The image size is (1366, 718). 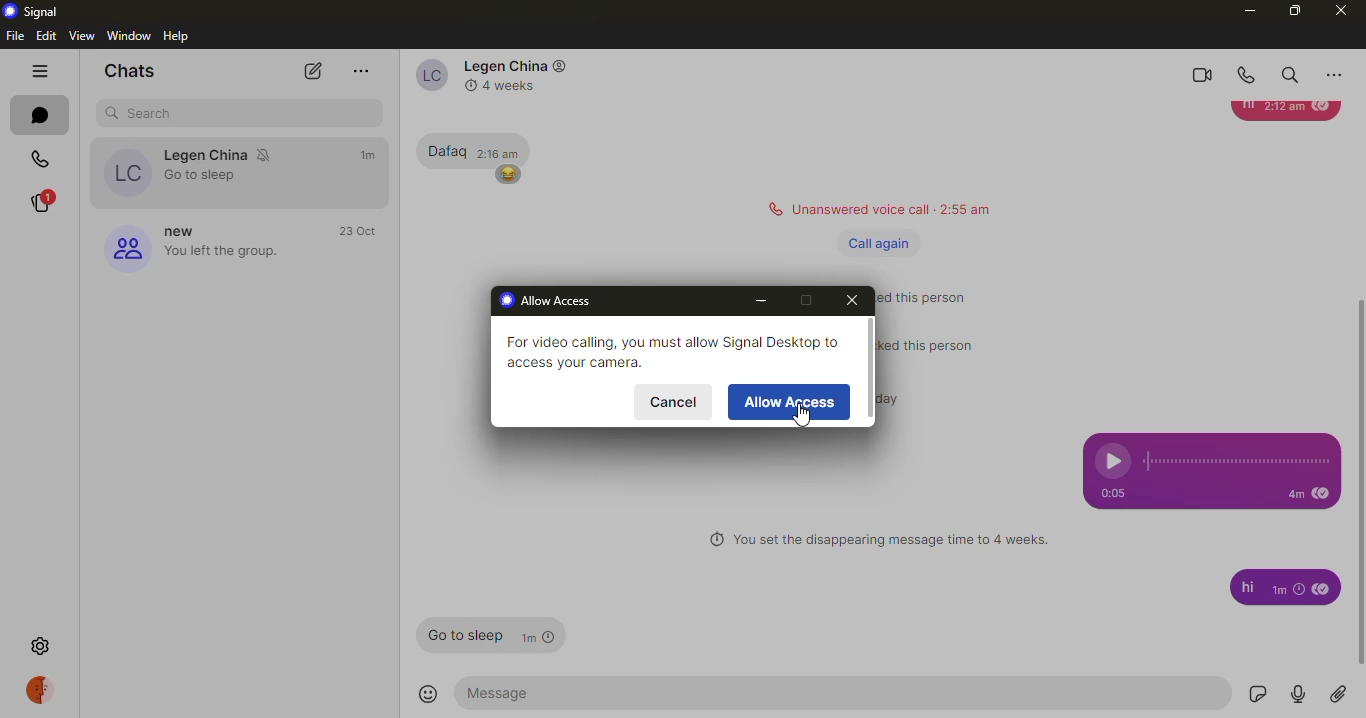 What do you see at coordinates (80, 35) in the screenshot?
I see `view` at bounding box center [80, 35].